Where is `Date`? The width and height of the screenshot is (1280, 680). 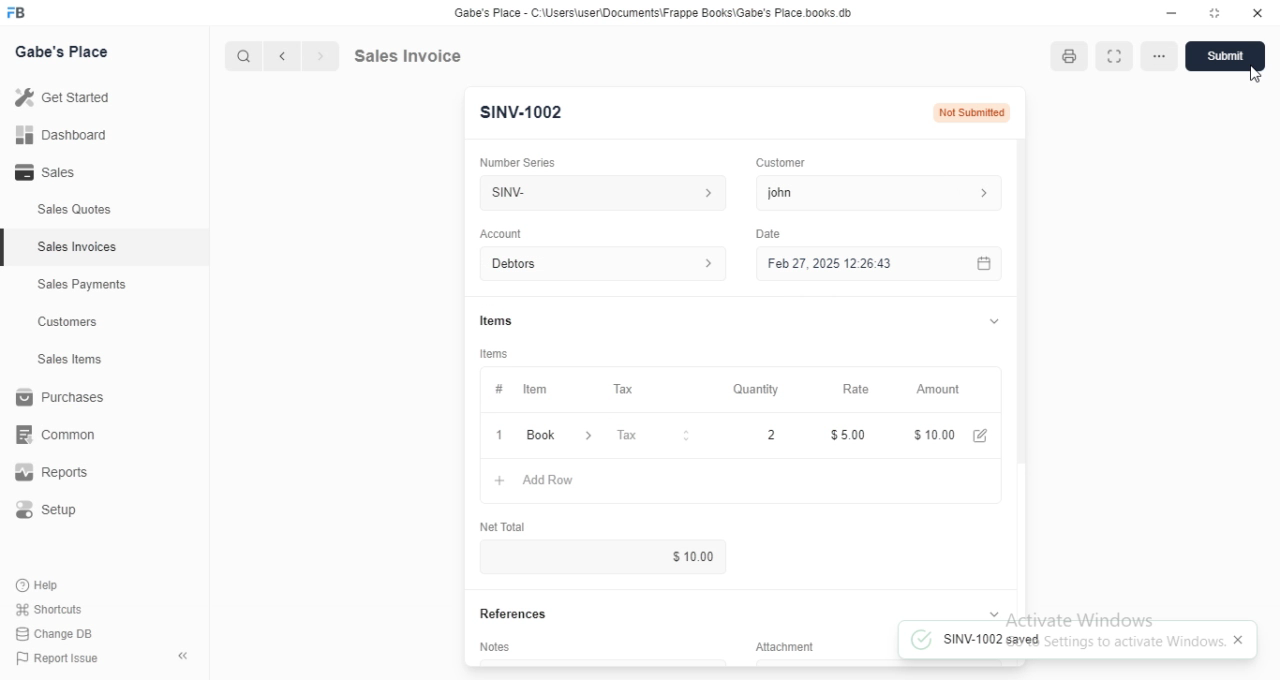 Date is located at coordinates (770, 232).